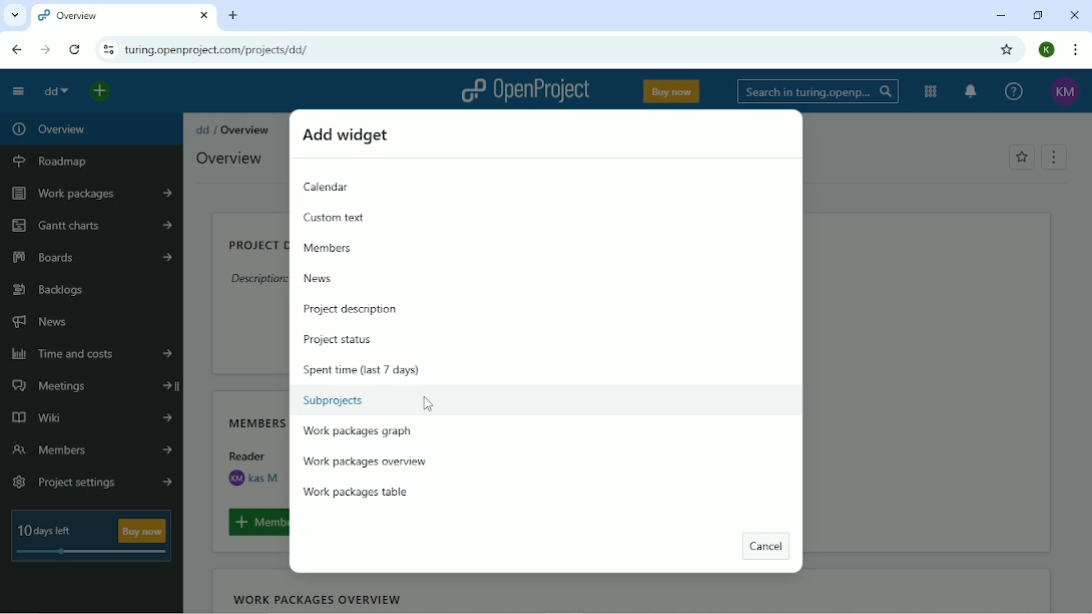 This screenshot has height=614, width=1092. I want to click on Vertical scrollbar, so click(1084, 247).